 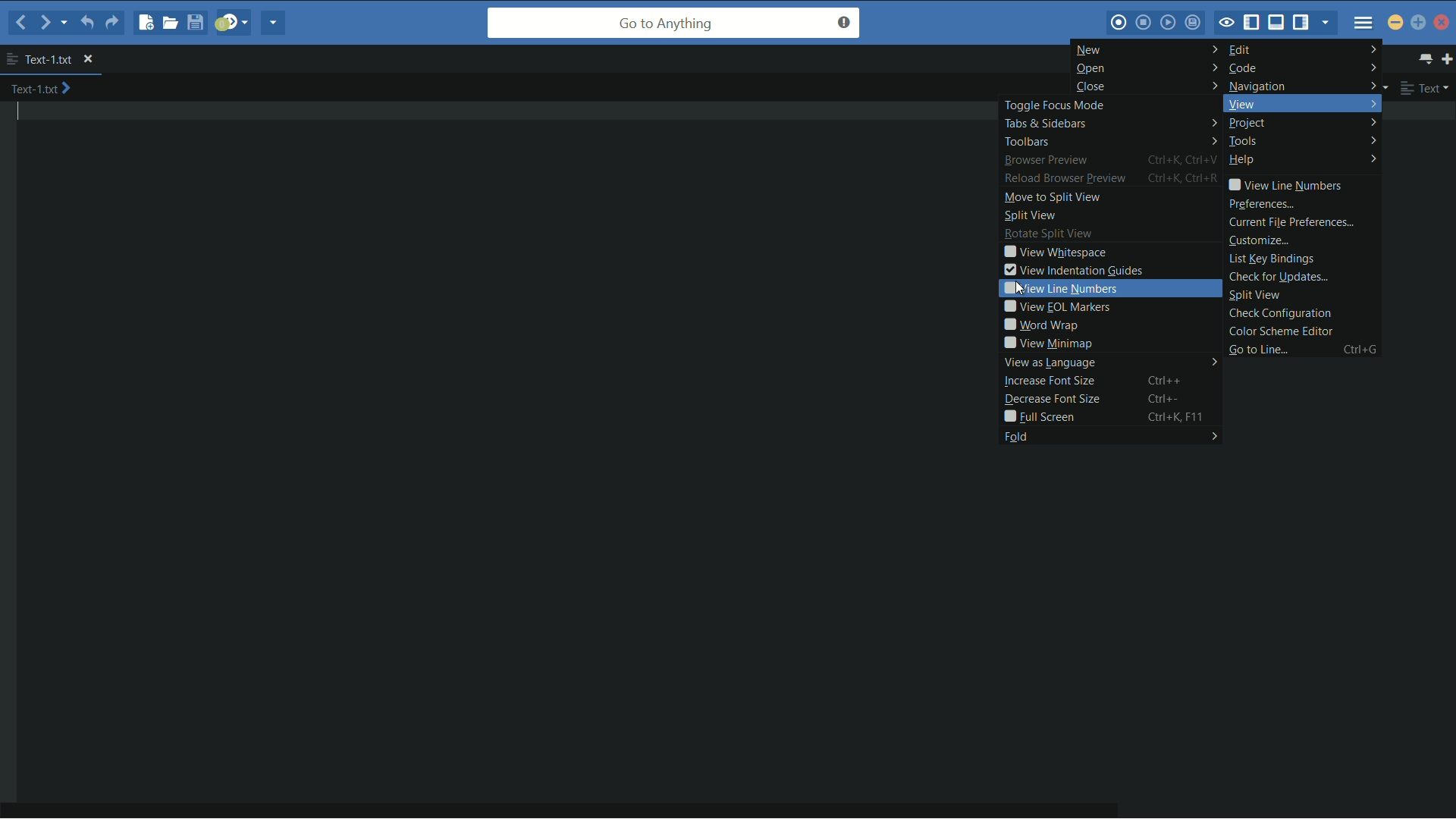 What do you see at coordinates (1146, 68) in the screenshot?
I see `open` at bounding box center [1146, 68].